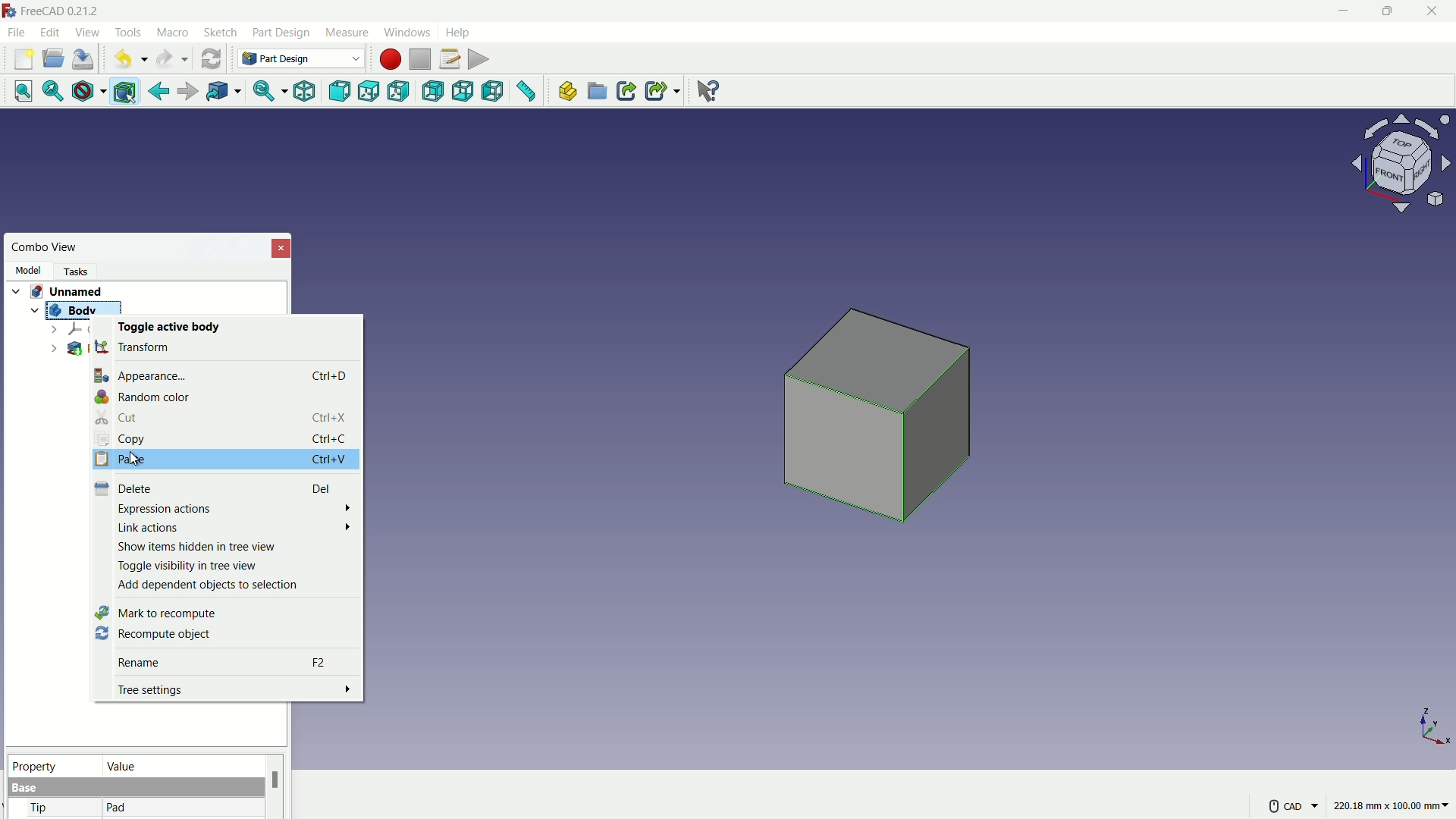 The width and height of the screenshot is (1456, 819). I want to click on stop macros, so click(420, 60).